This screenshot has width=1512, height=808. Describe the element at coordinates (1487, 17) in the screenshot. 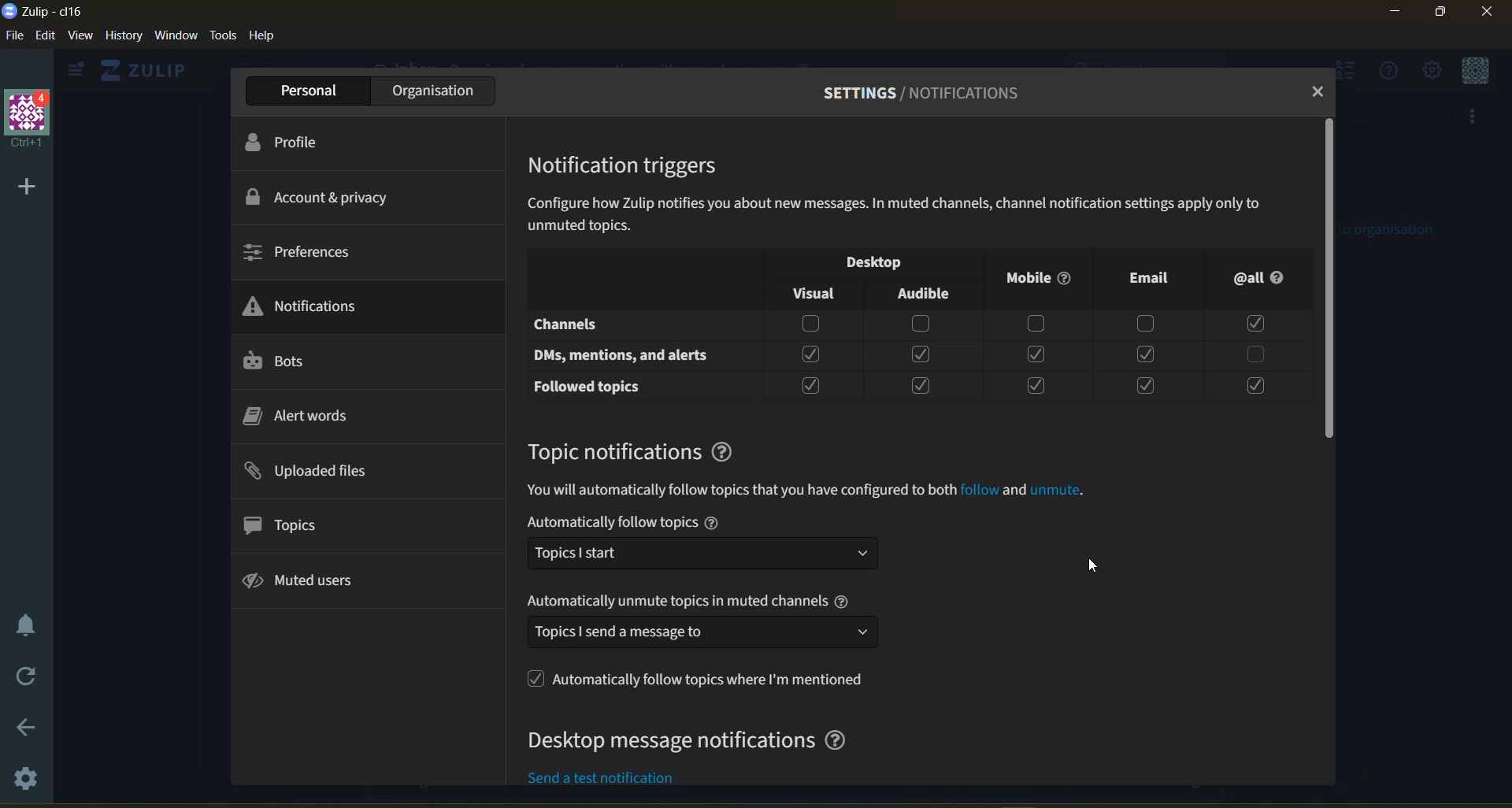

I see `Close` at that location.